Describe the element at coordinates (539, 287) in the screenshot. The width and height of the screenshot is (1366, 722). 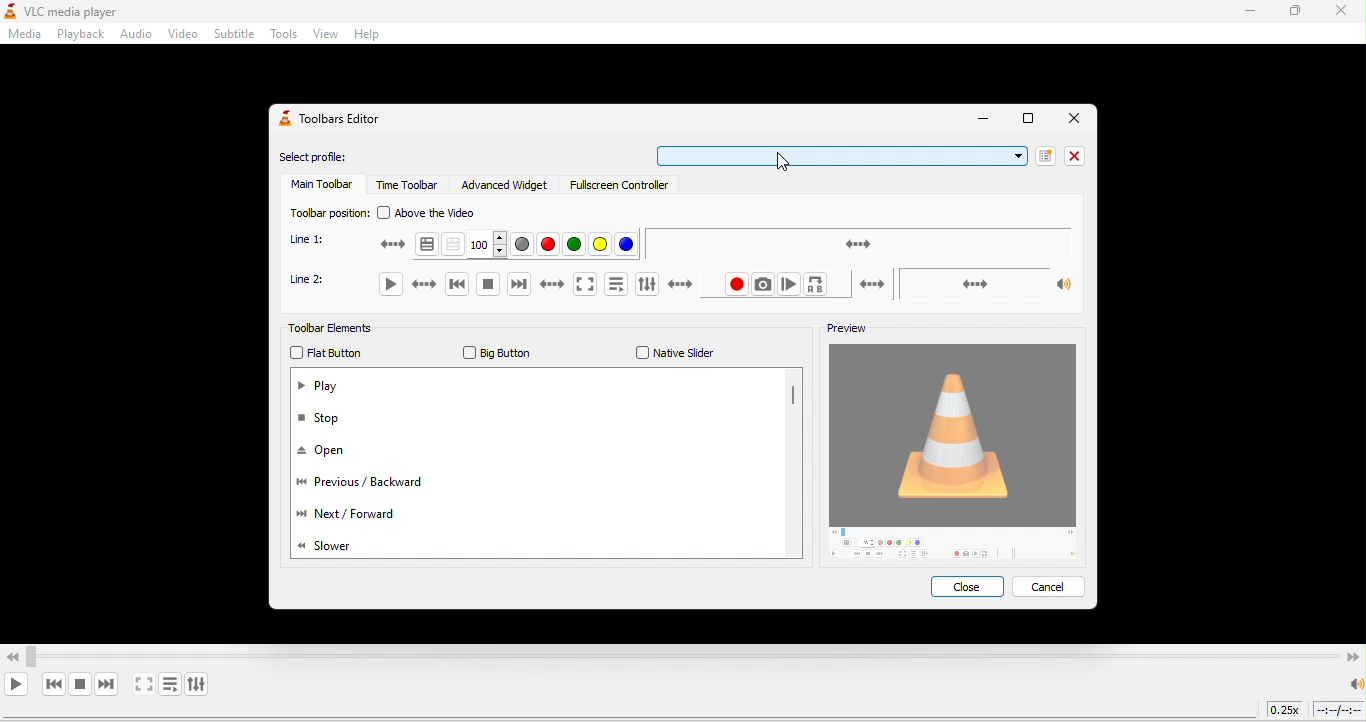
I see `next media` at that location.